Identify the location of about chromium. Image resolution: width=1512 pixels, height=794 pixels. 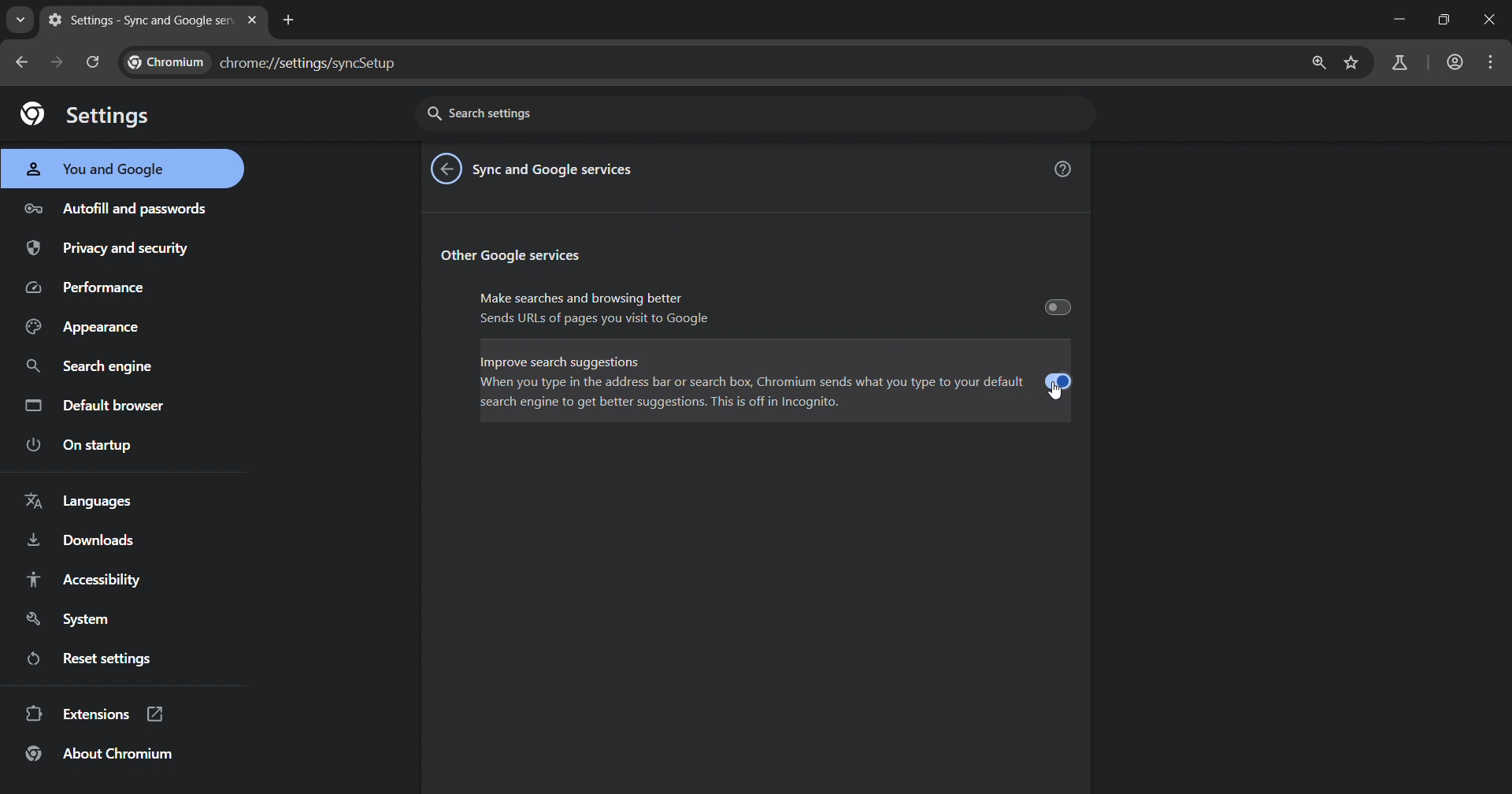
(103, 755).